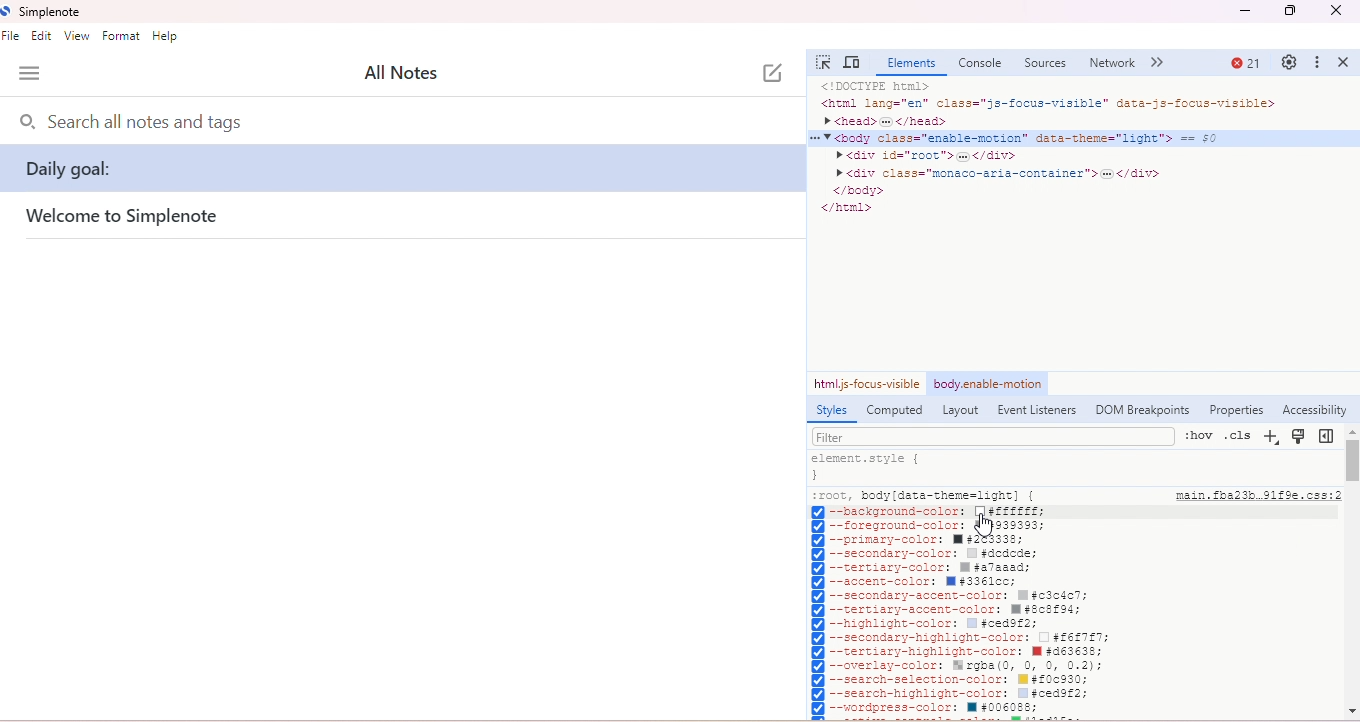 The height and width of the screenshot is (722, 1360). What do you see at coordinates (983, 523) in the screenshot?
I see `cursor movement` at bounding box center [983, 523].